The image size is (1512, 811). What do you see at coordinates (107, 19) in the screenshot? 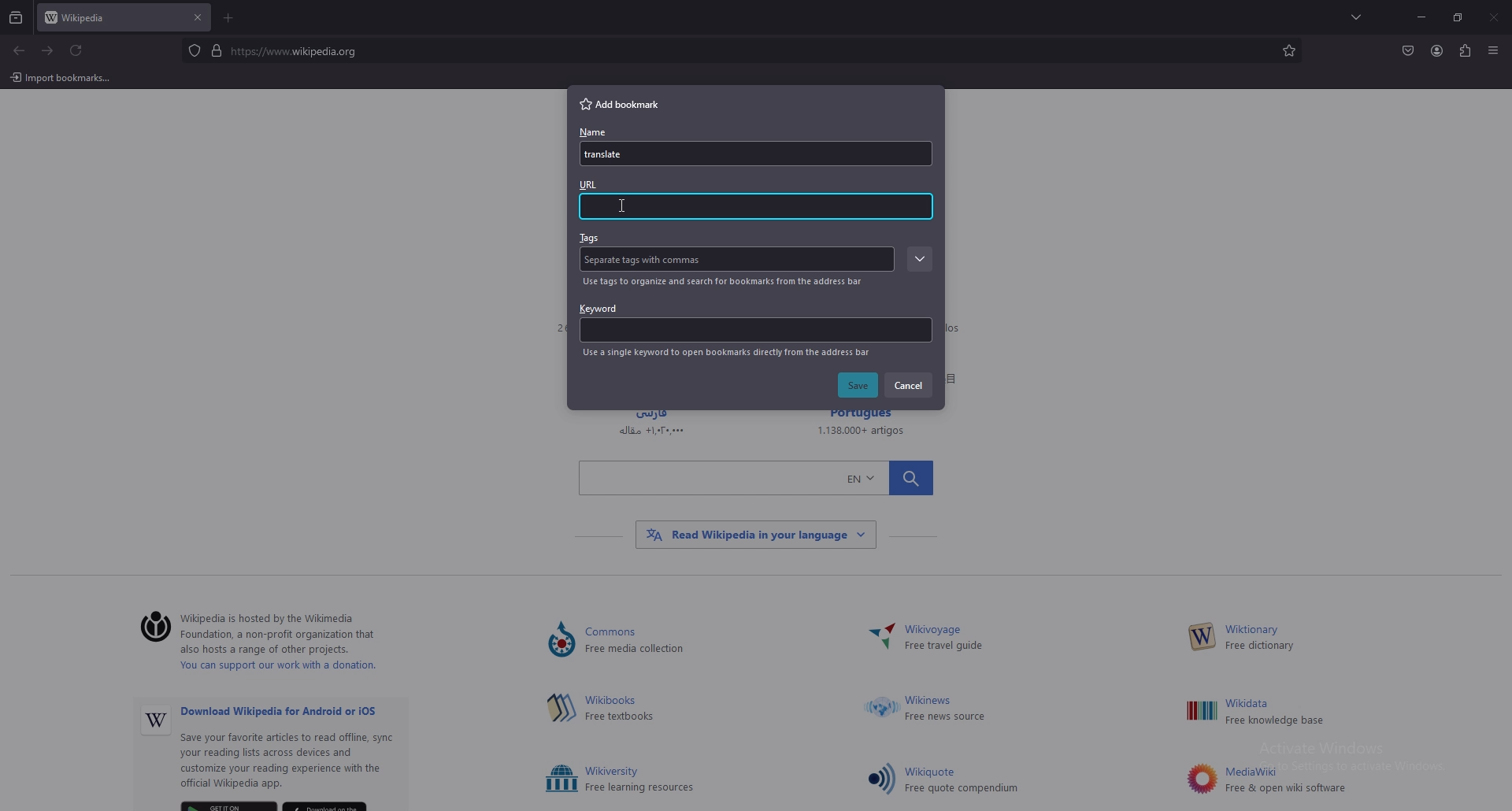
I see `tab` at bounding box center [107, 19].